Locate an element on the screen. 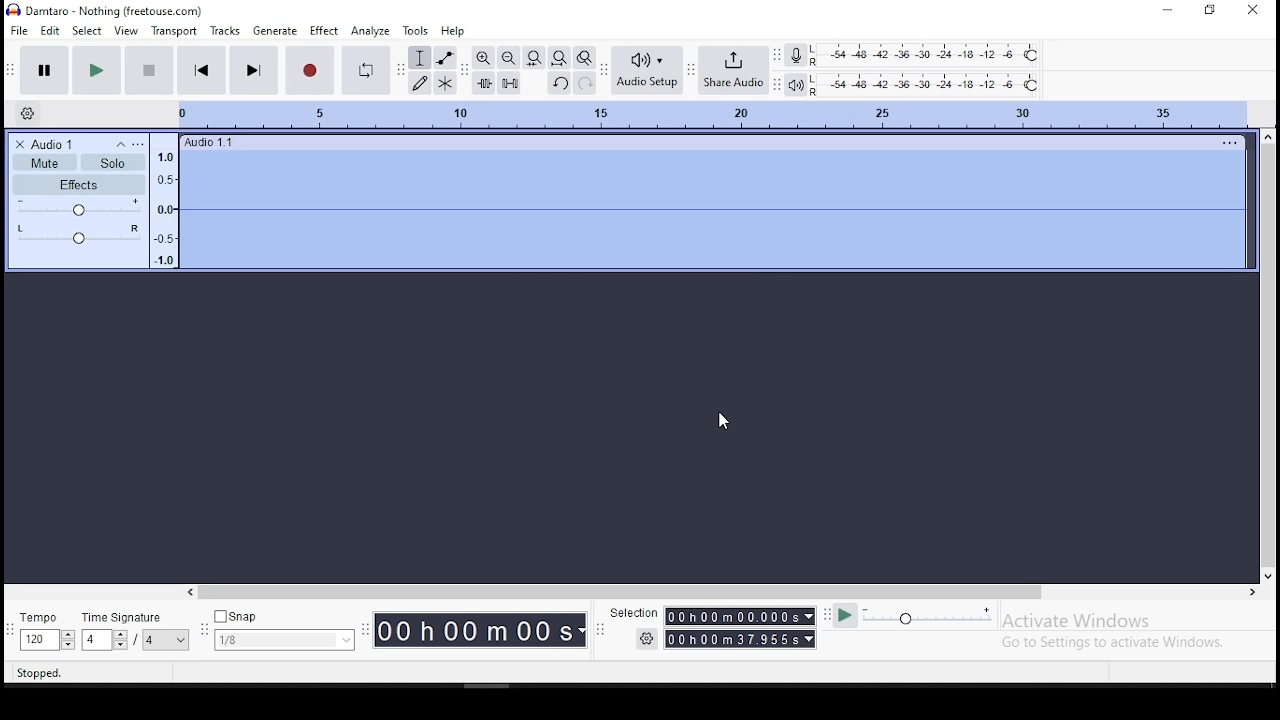 This screenshot has width=1280, height=720. time signature is located at coordinates (134, 630).